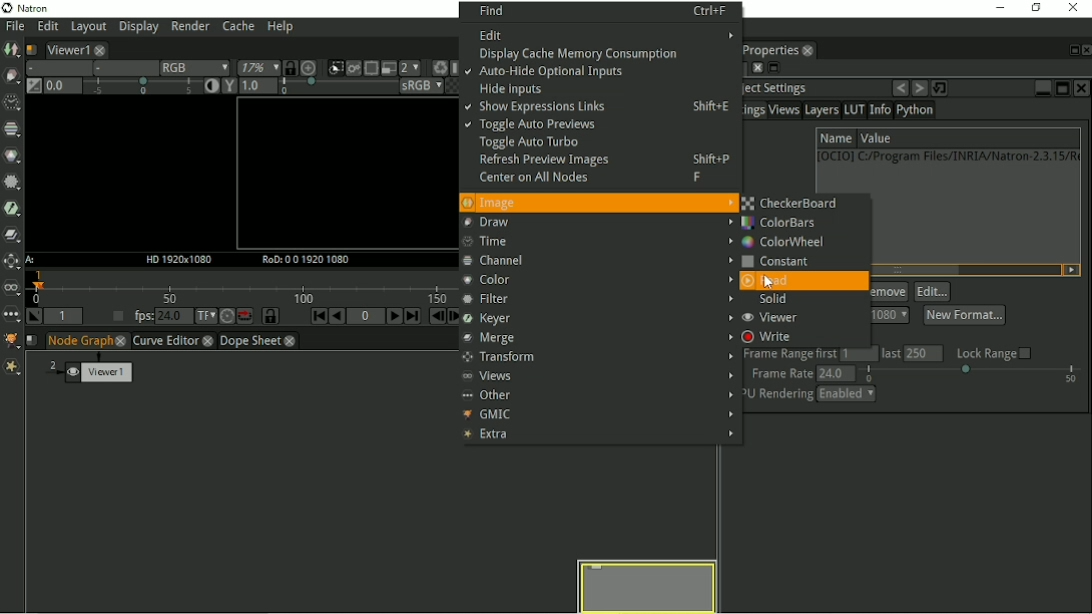  Describe the element at coordinates (31, 48) in the screenshot. I see `Script name` at that location.